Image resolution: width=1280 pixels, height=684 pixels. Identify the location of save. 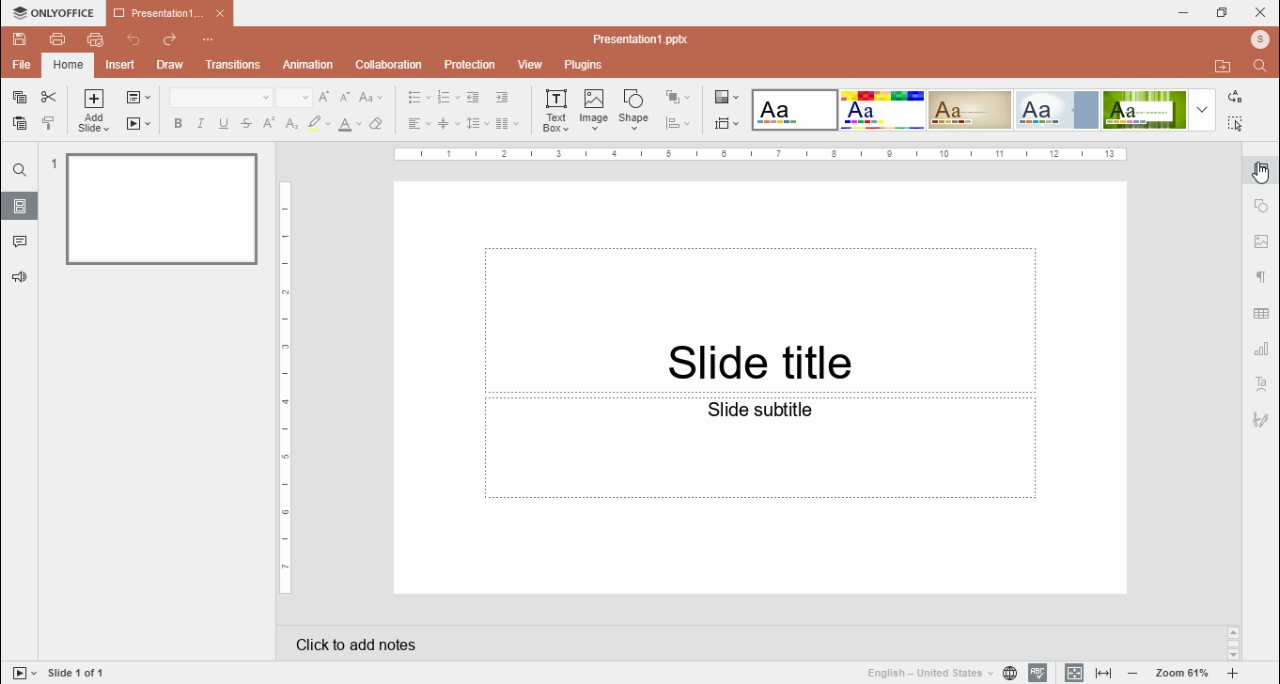
(20, 38).